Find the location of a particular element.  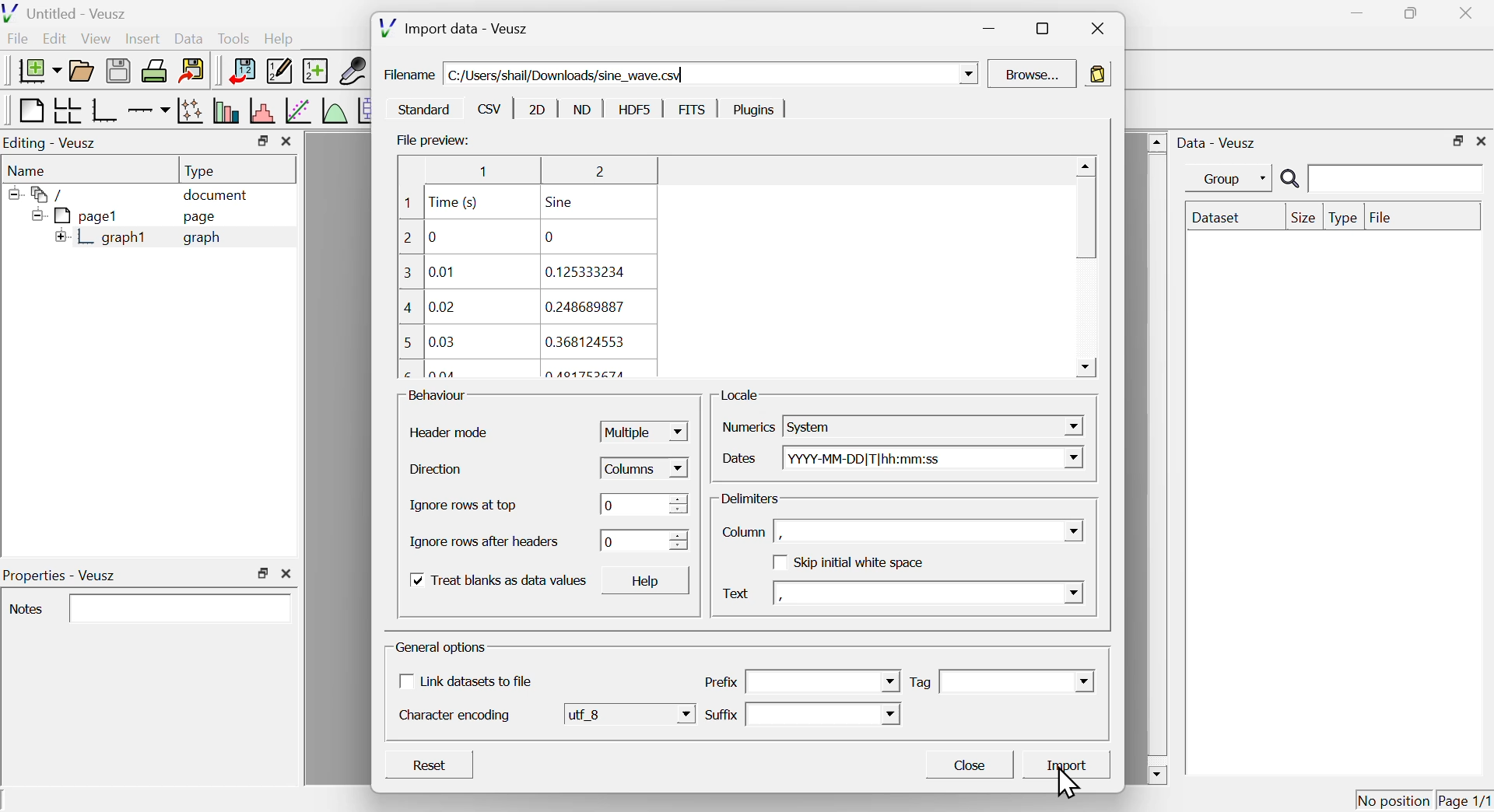

text box is located at coordinates (1016, 682).